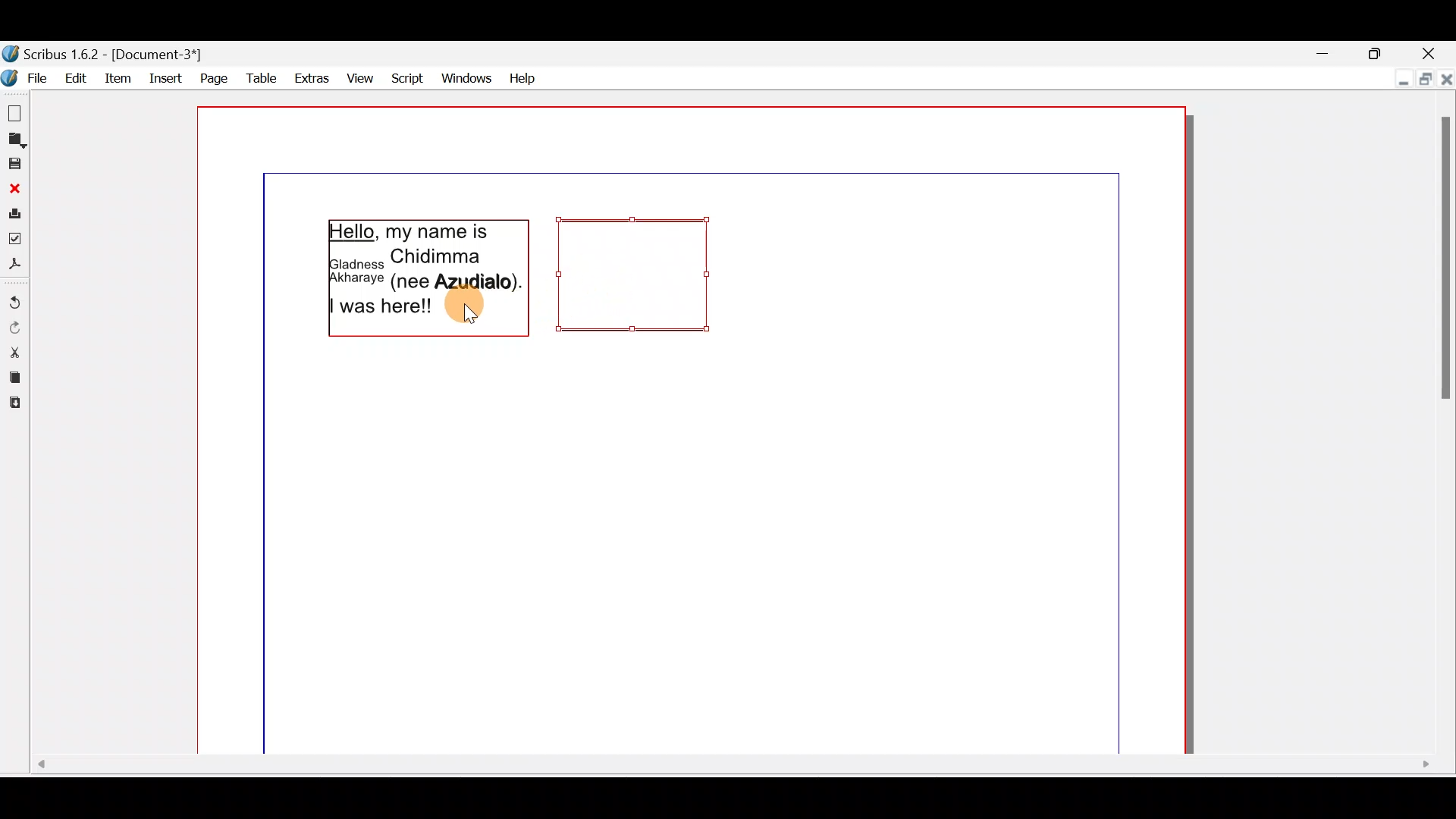  I want to click on Maximise, so click(1378, 51).